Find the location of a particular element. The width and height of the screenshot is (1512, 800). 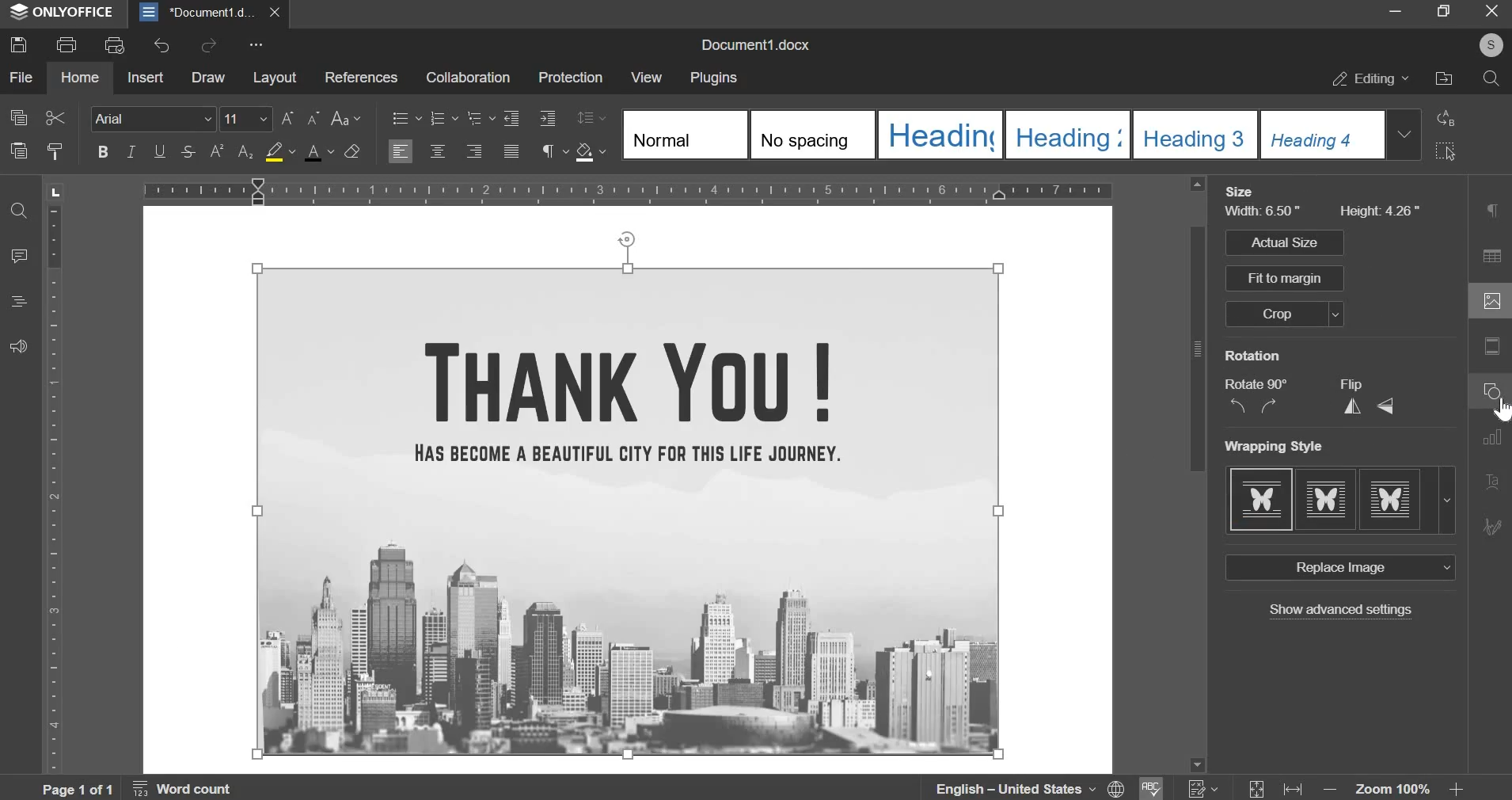

font size is located at coordinates (247, 118).